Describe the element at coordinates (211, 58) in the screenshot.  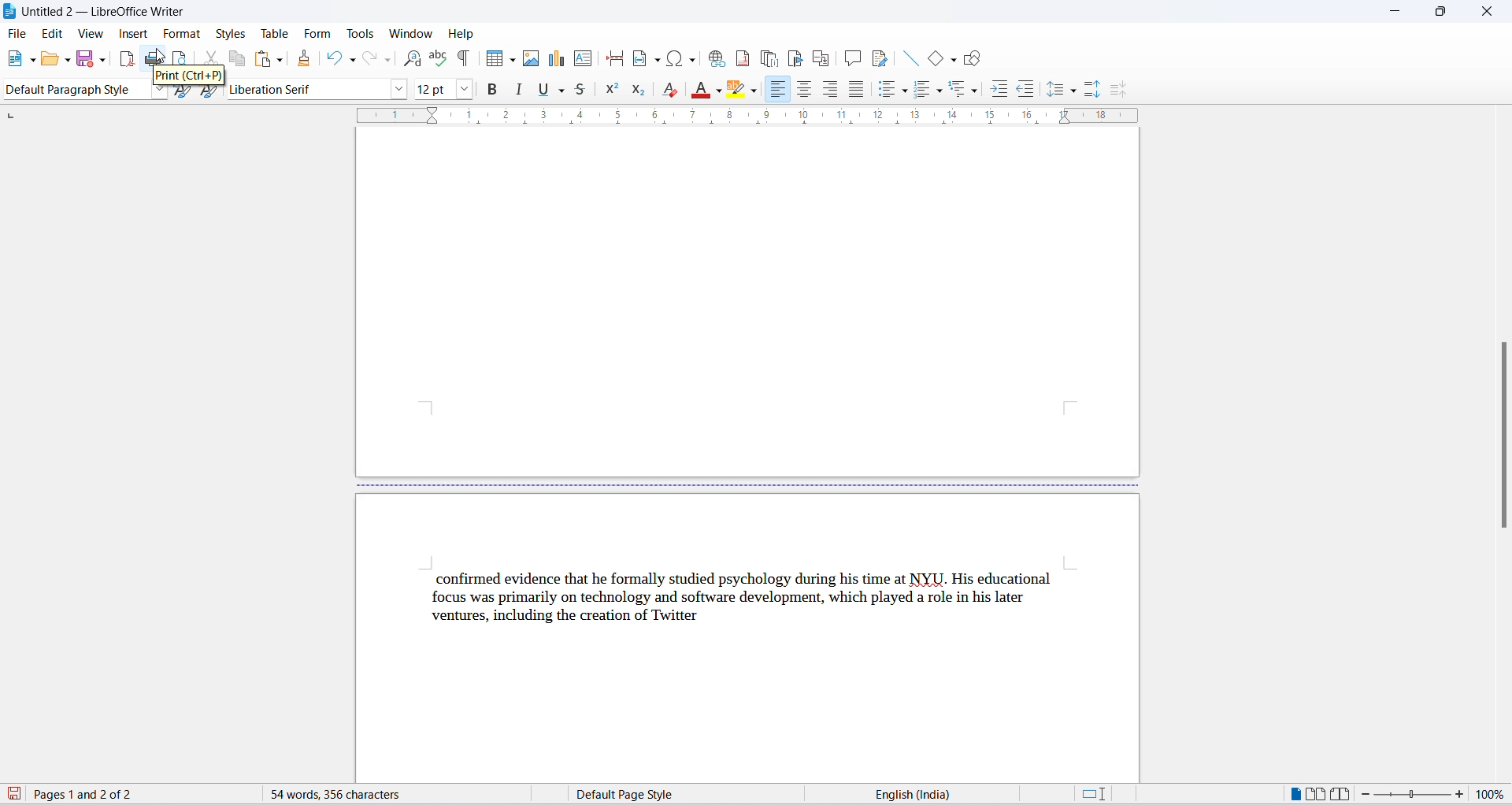
I see `cut` at that location.